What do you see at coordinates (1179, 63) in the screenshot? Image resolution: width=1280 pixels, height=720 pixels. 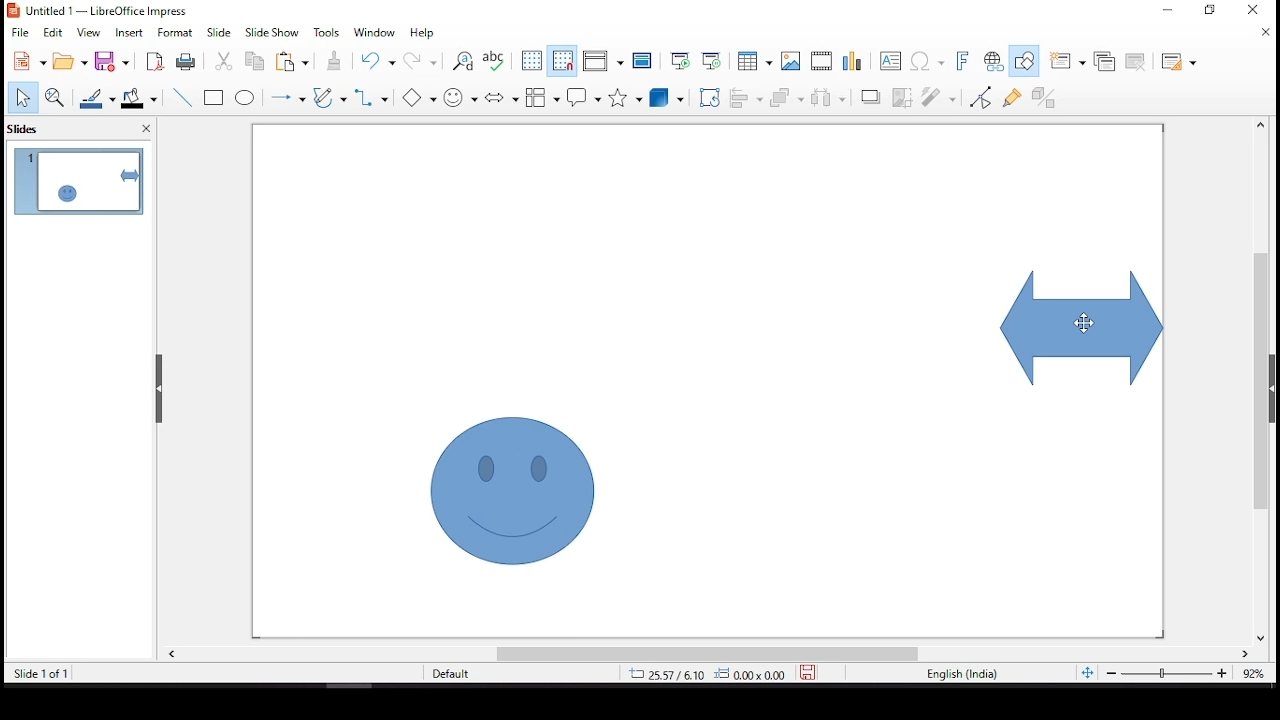 I see `slide layout` at bounding box center [1179, 63].